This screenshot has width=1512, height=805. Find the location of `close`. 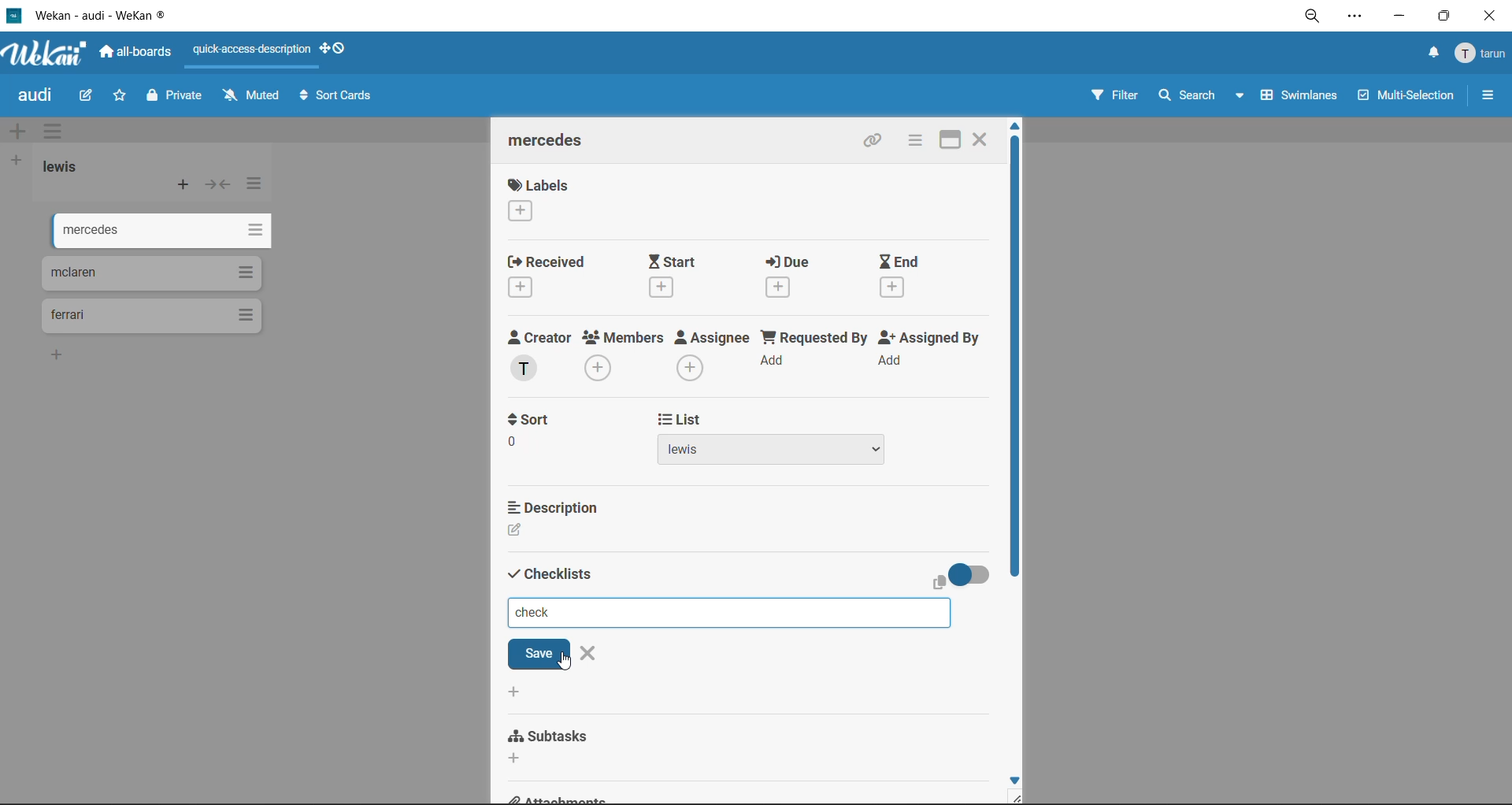

close is located at coordinates (594, 655).